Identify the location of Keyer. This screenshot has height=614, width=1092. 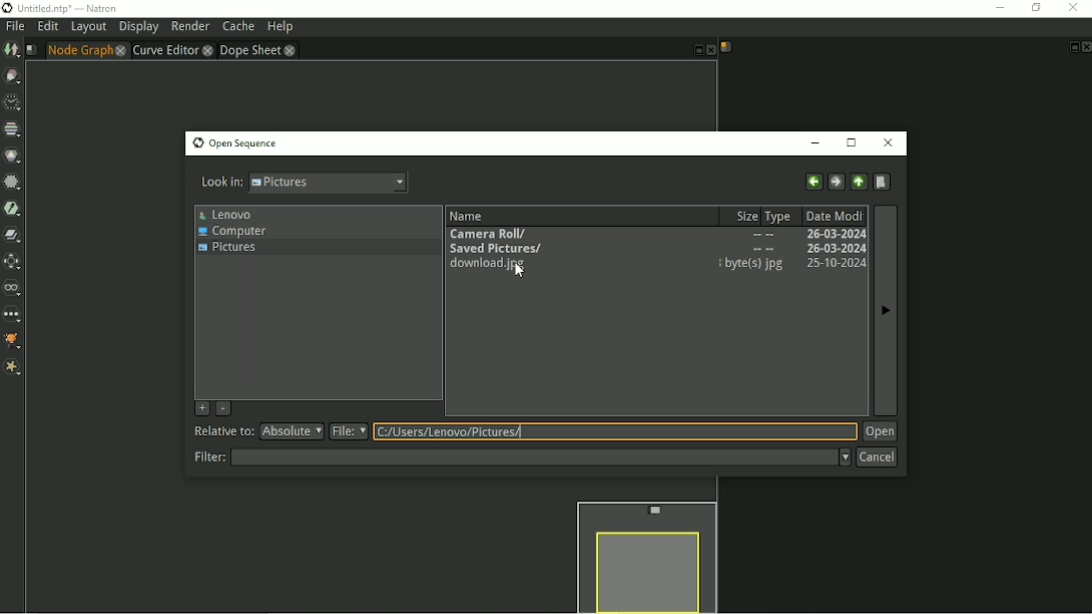
(13, 208).